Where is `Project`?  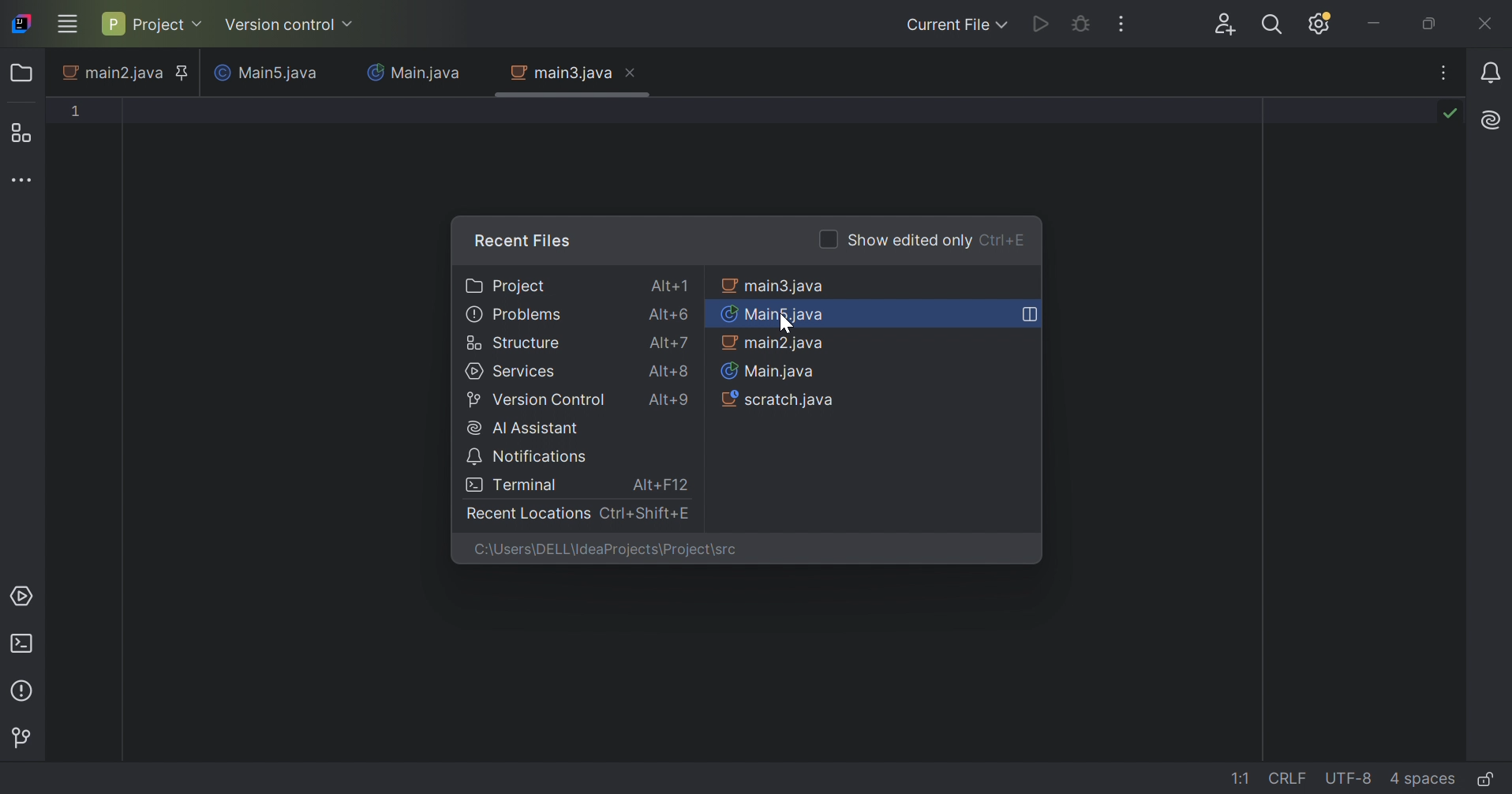
Project is located at coordinates (503, 285).